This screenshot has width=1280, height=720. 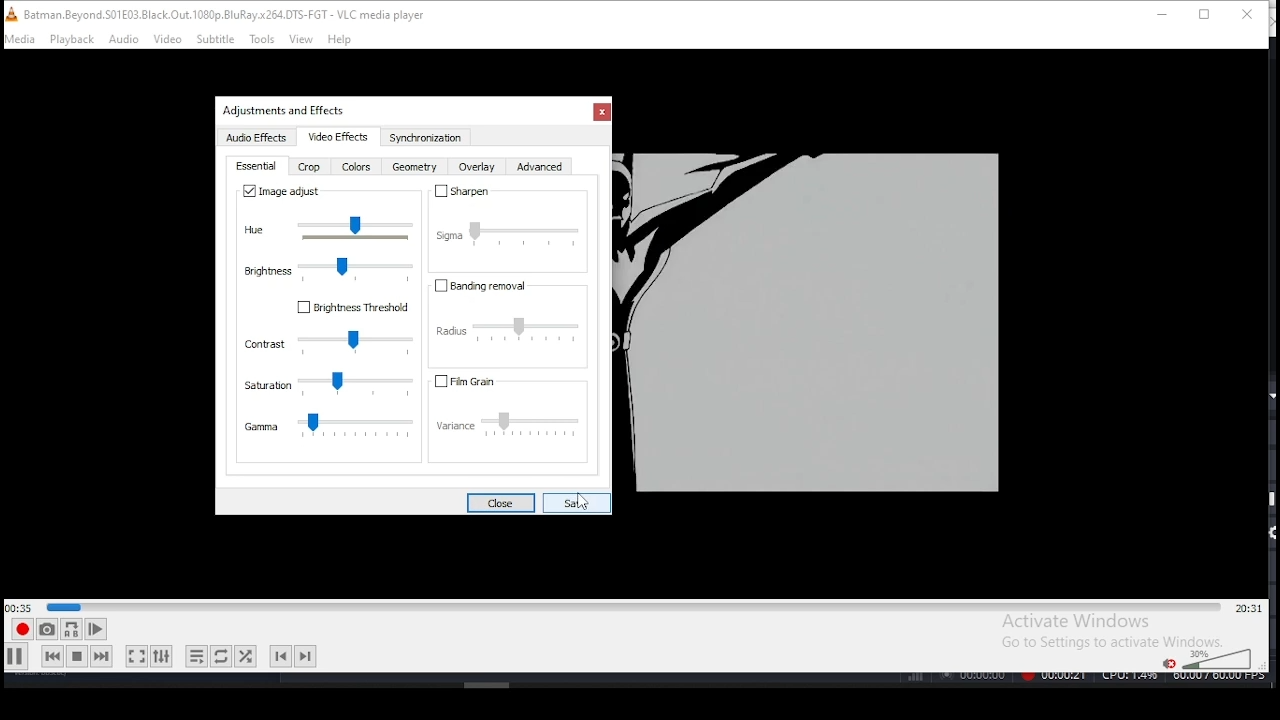 I want to click on color, so click(x=356, y=168).